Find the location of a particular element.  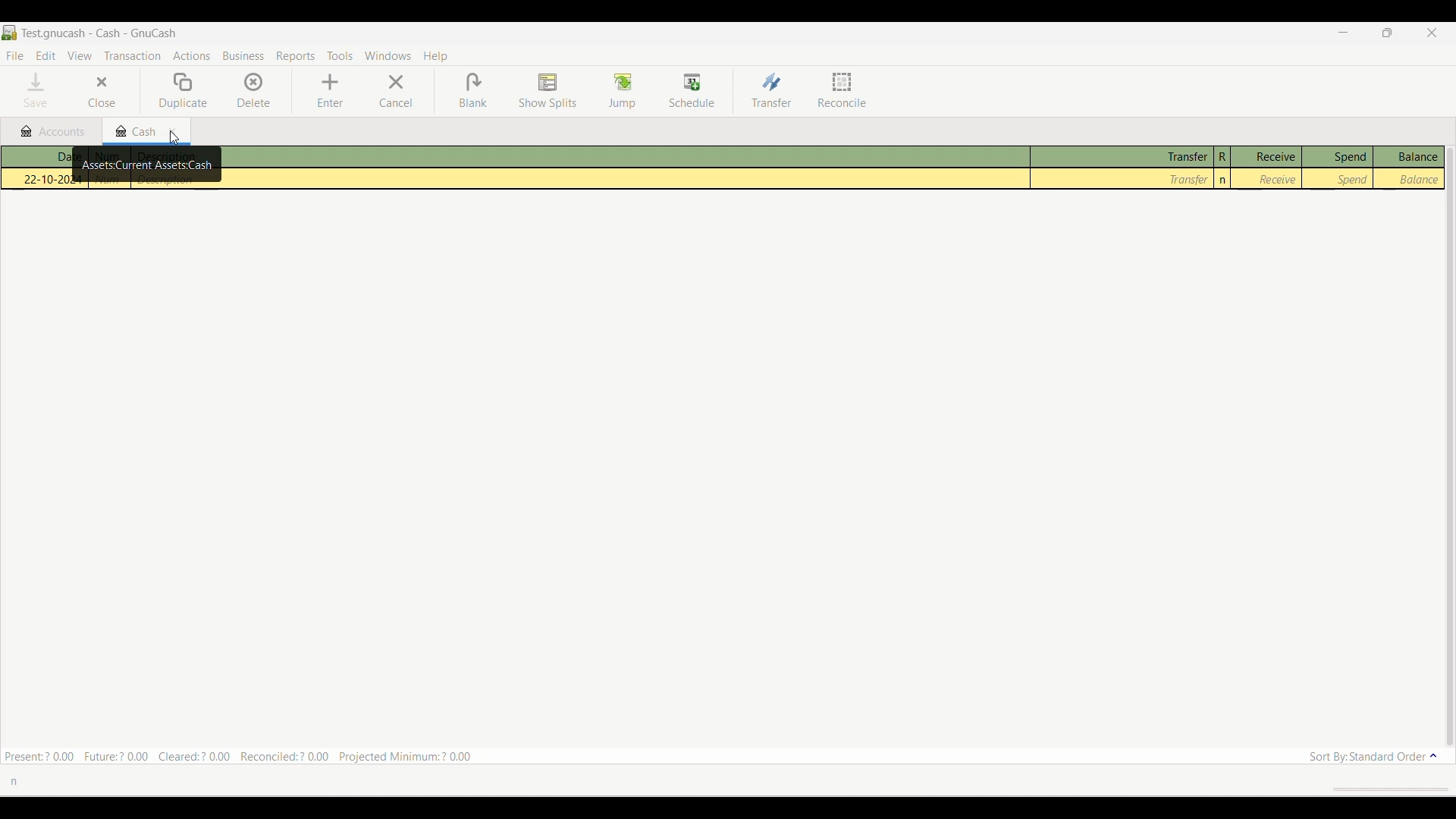

Help is located at coordinates (436, 56).